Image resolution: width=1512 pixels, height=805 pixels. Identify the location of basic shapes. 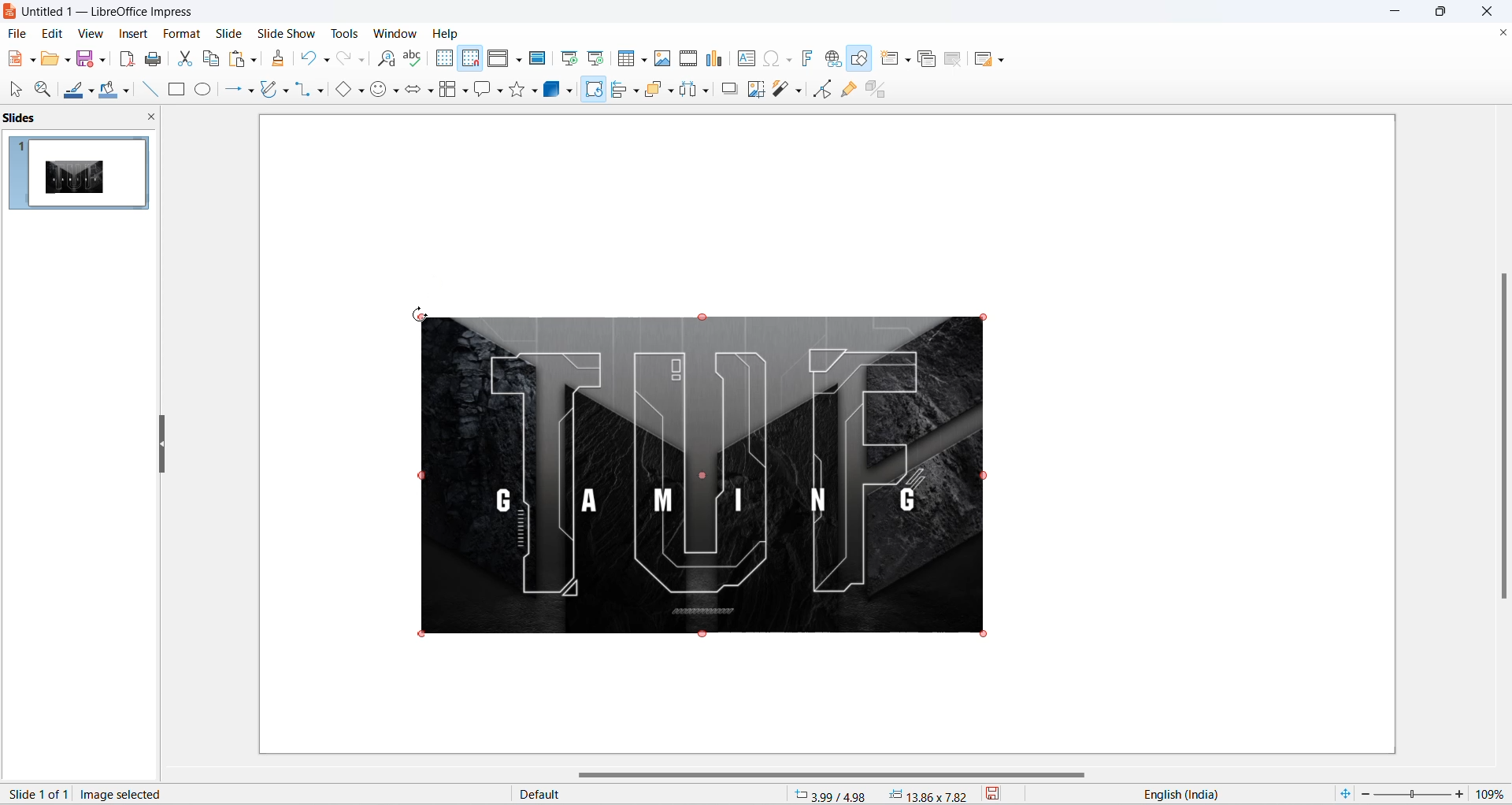
(339, 91).